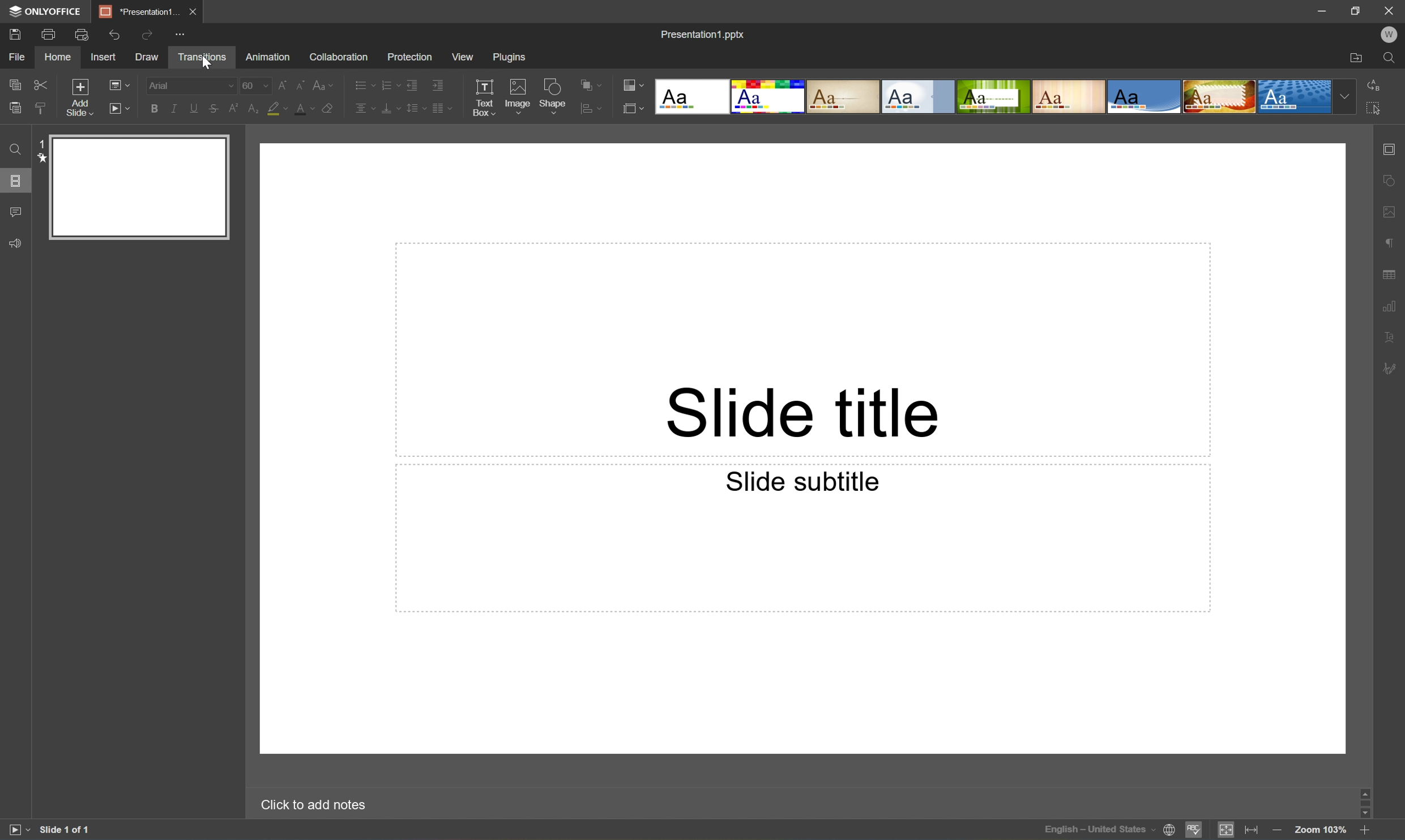  What do you see at coordinates (76, 97) in the screenshot?
I see `Add slide` at bounding box center [76, 97].